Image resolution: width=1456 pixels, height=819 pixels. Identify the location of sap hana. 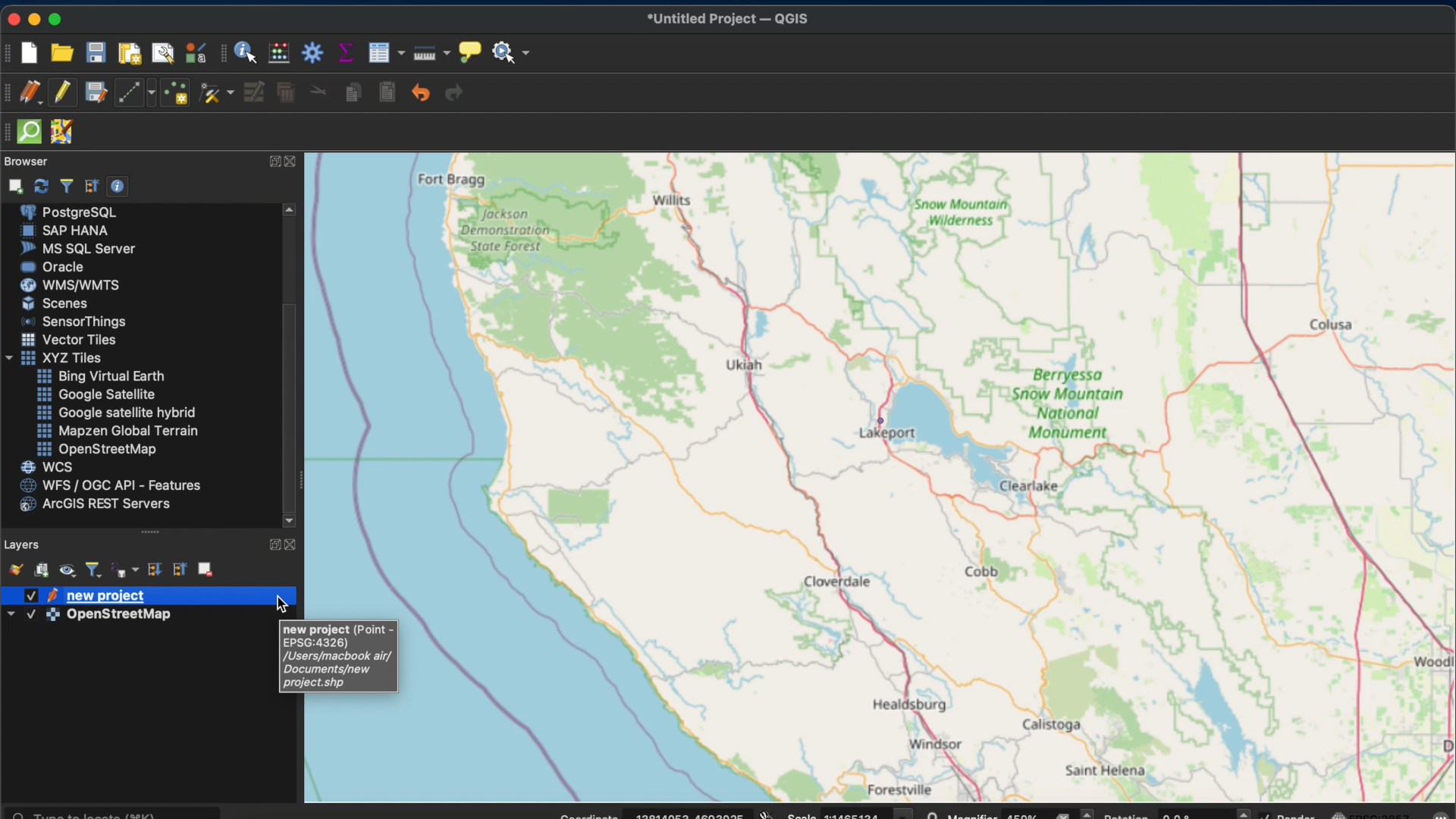
(65, 231).